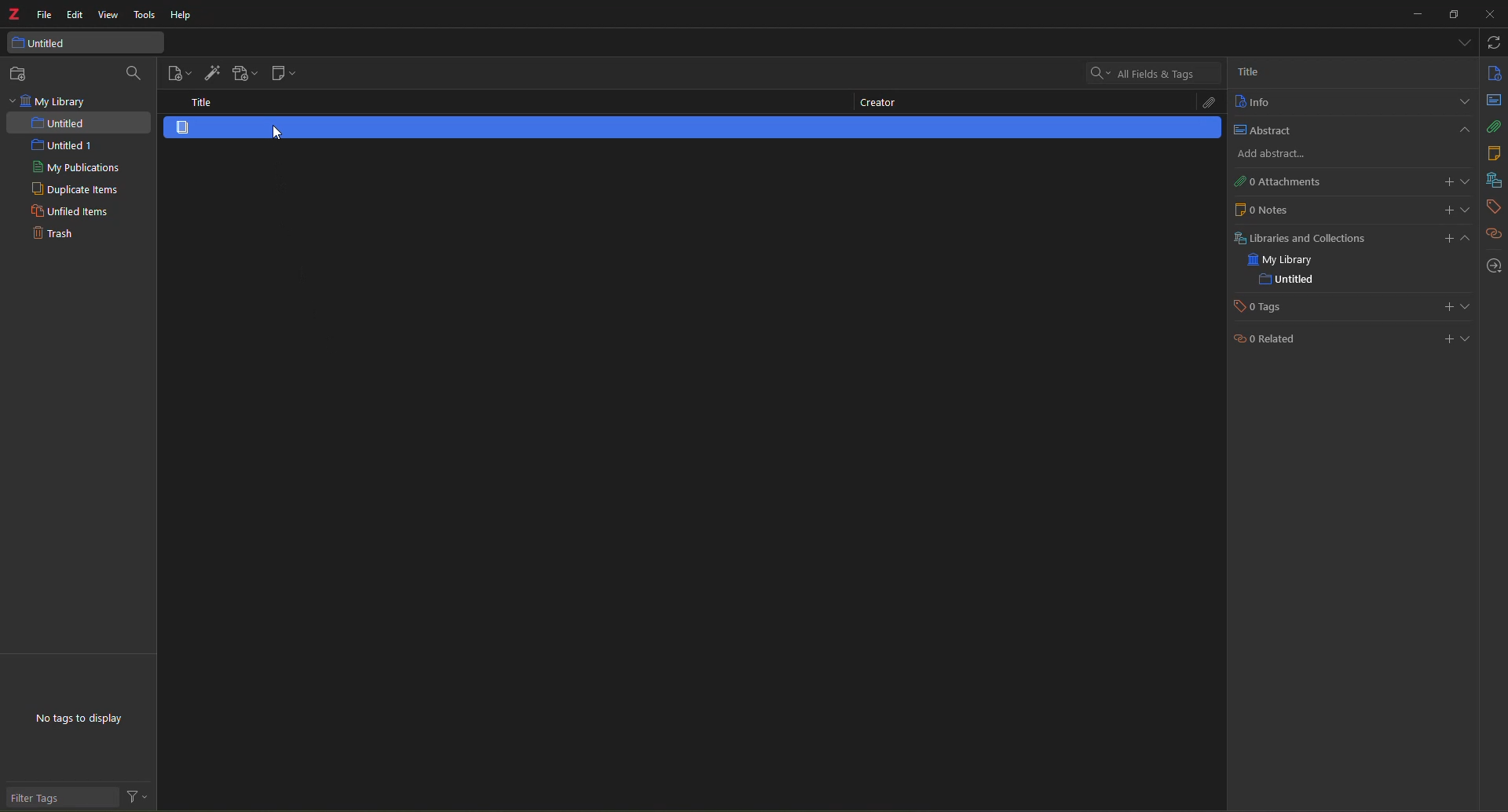 The height and width of the screenshot is (812, 1508). Describe the element at coordinates (1284, 261) in the screenshot. I see `my library` at that location.